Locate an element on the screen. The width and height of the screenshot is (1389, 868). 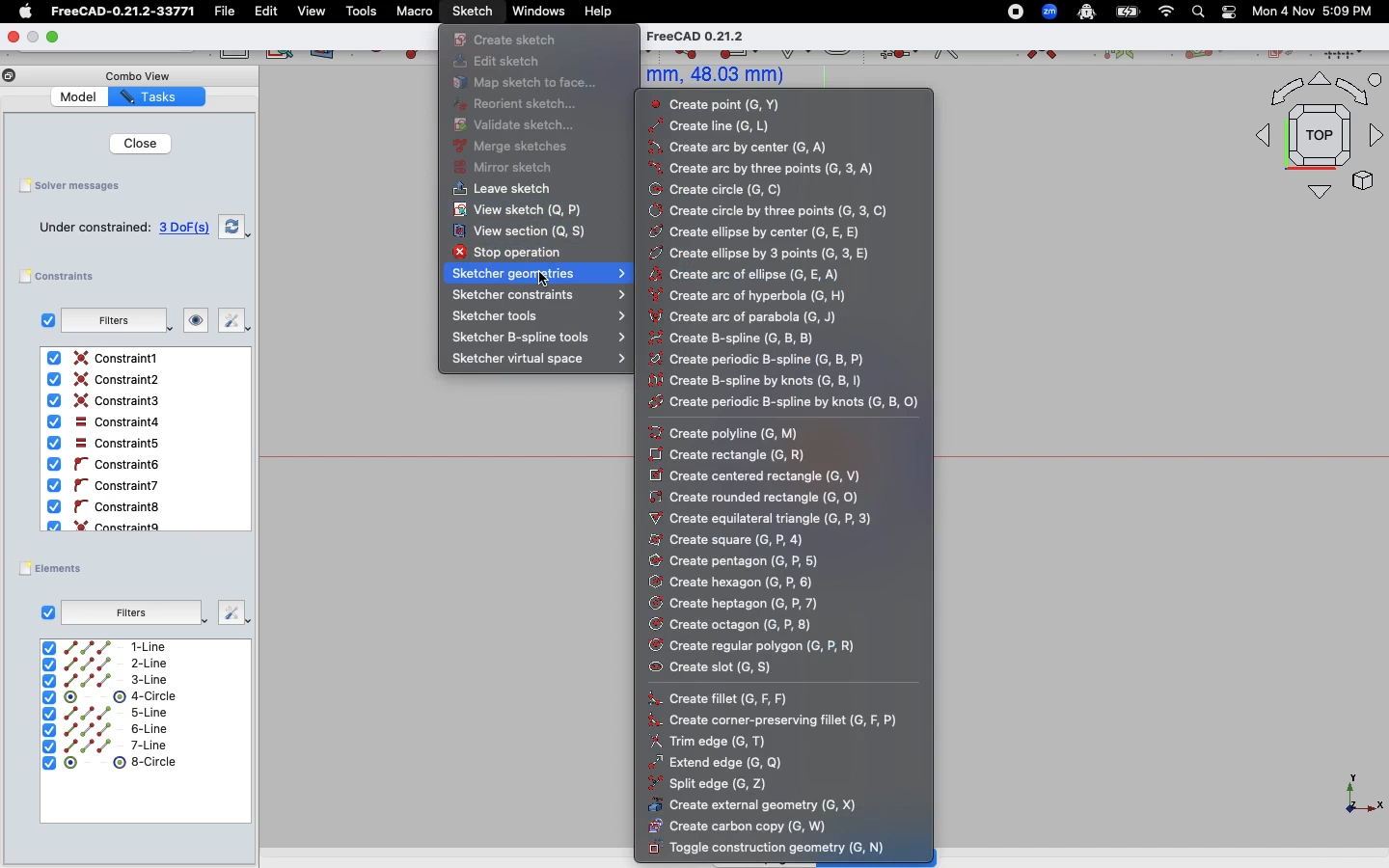
Create periodic B-spline by knots (G, B, 0) is located at coordinates (786, 404).